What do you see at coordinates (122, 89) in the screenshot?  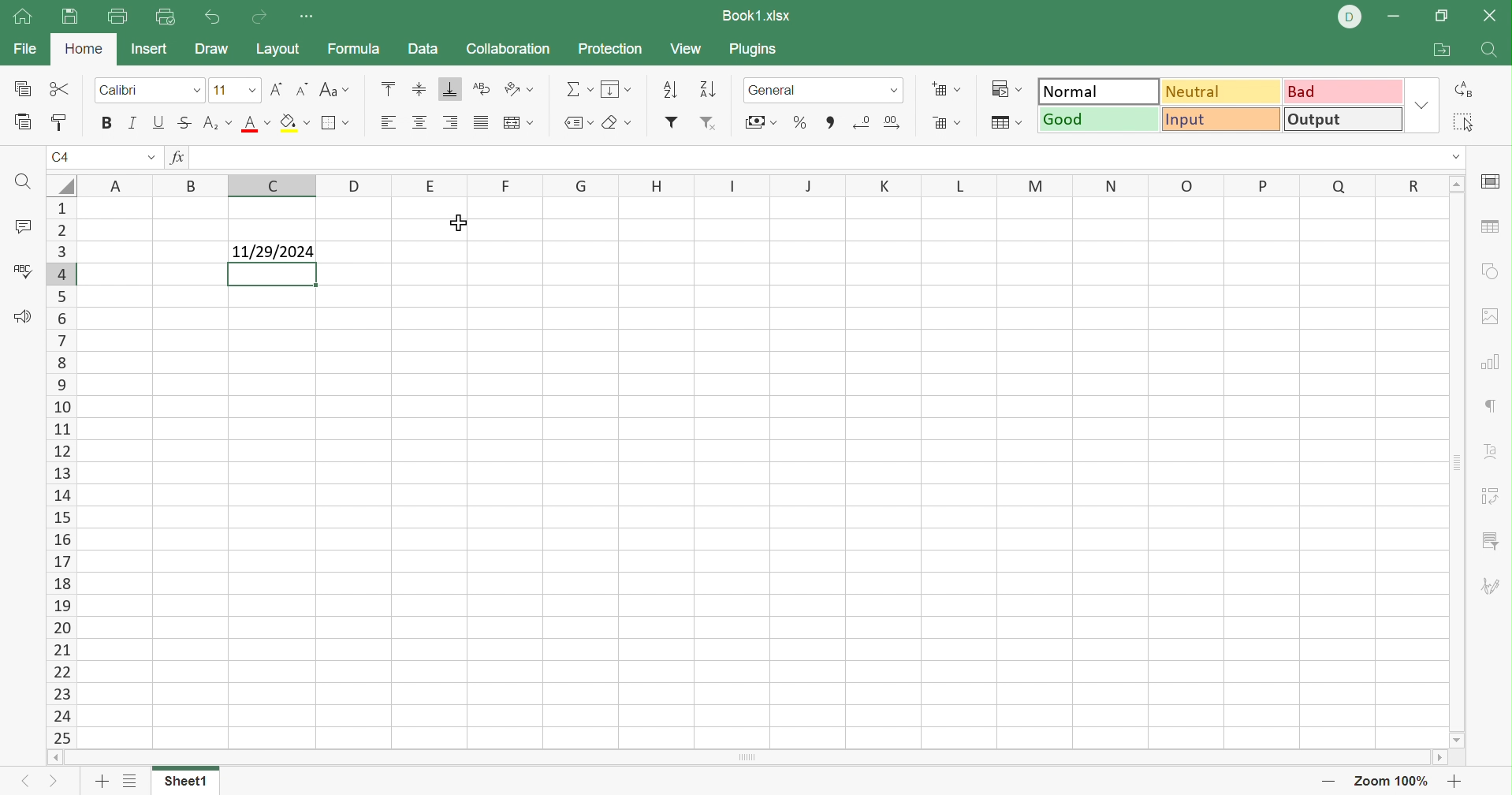 I see `Calibri` at bounding box center [122, 89].